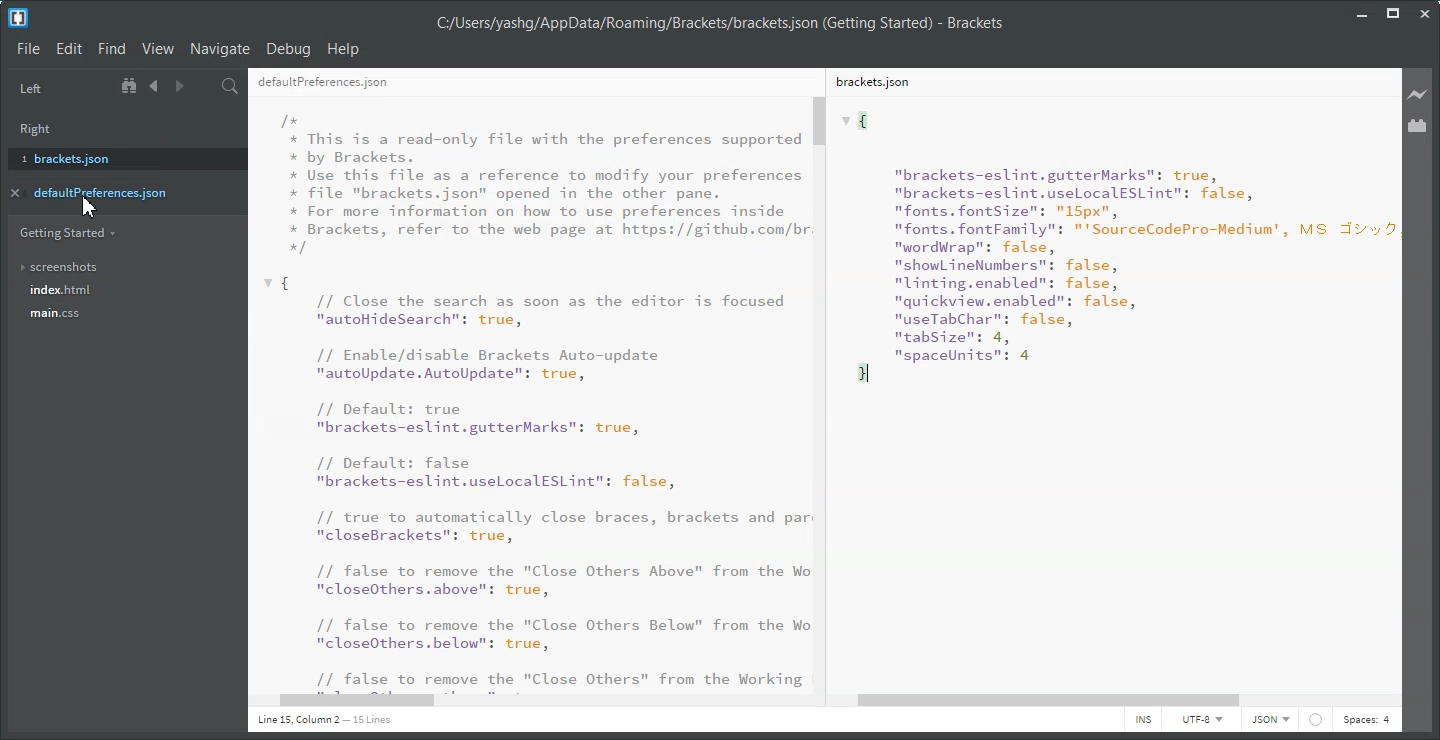  What do you see at coordinates (1393, 13) in the screenshot?
I see `Maximize` at bounding box center [1393, 13].